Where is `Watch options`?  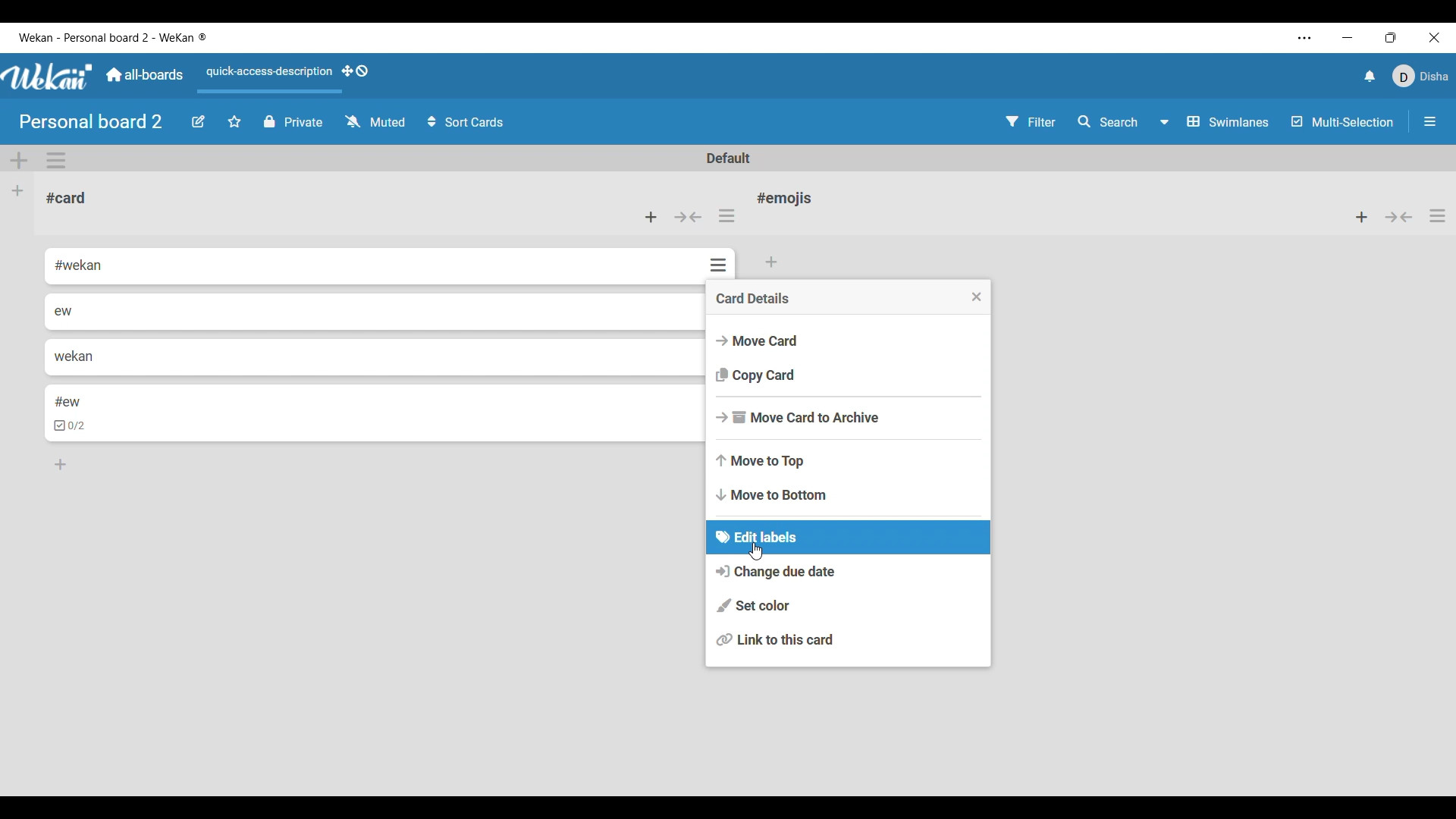 Watch options is located at coordinates (375, 121).